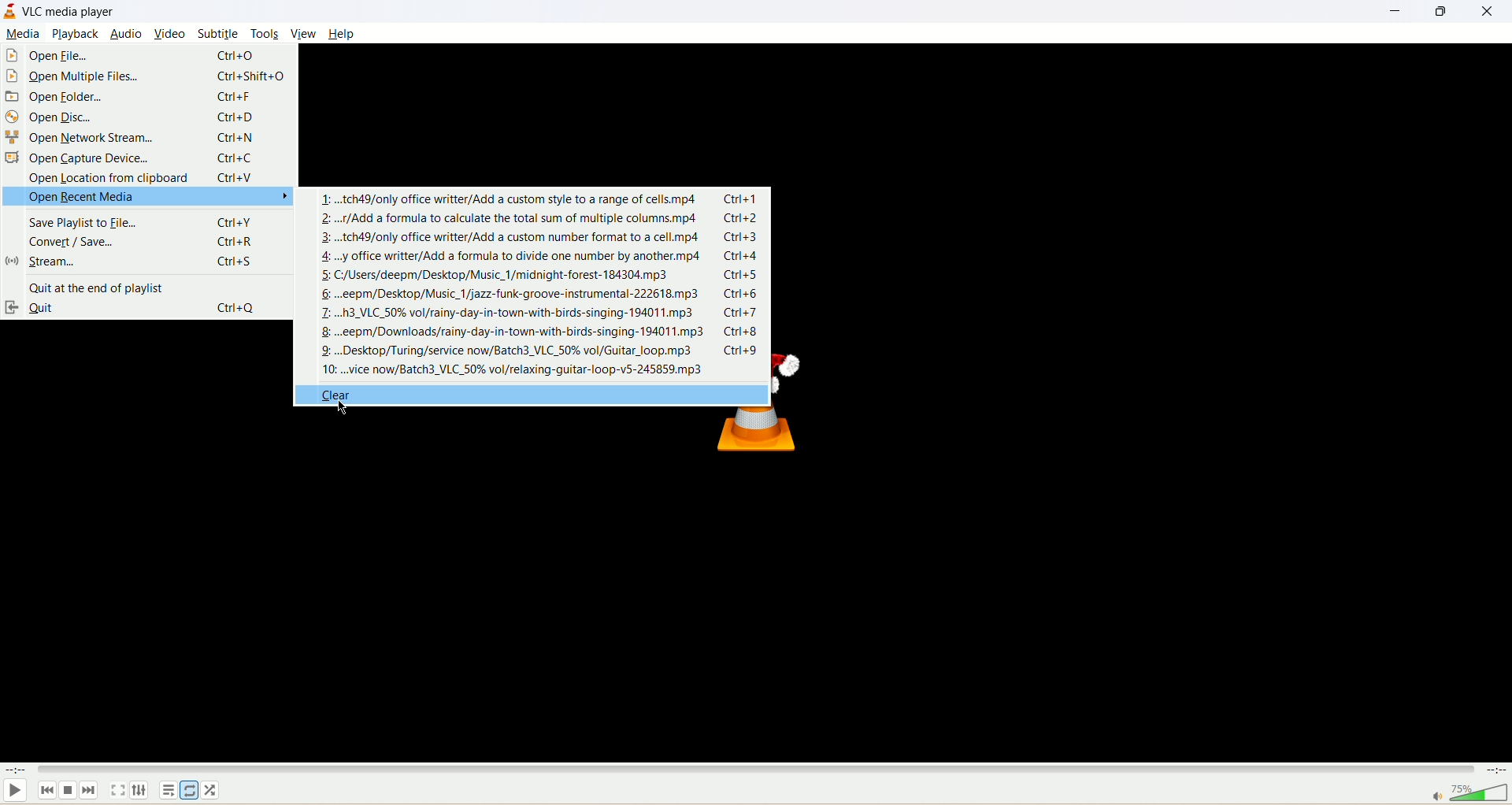  Describe the element at coordinates (757, 769) in the screenshot. I see `progress bar` at that location.